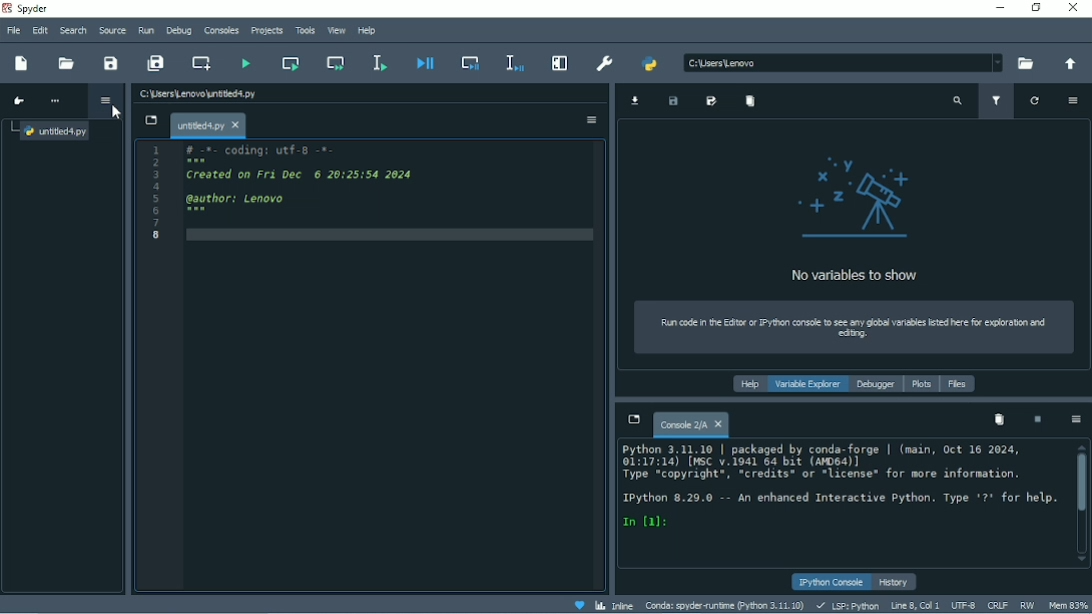 The width and height of the screenshot is (1092, 614). I want to click on Plots, so click(923, 386).